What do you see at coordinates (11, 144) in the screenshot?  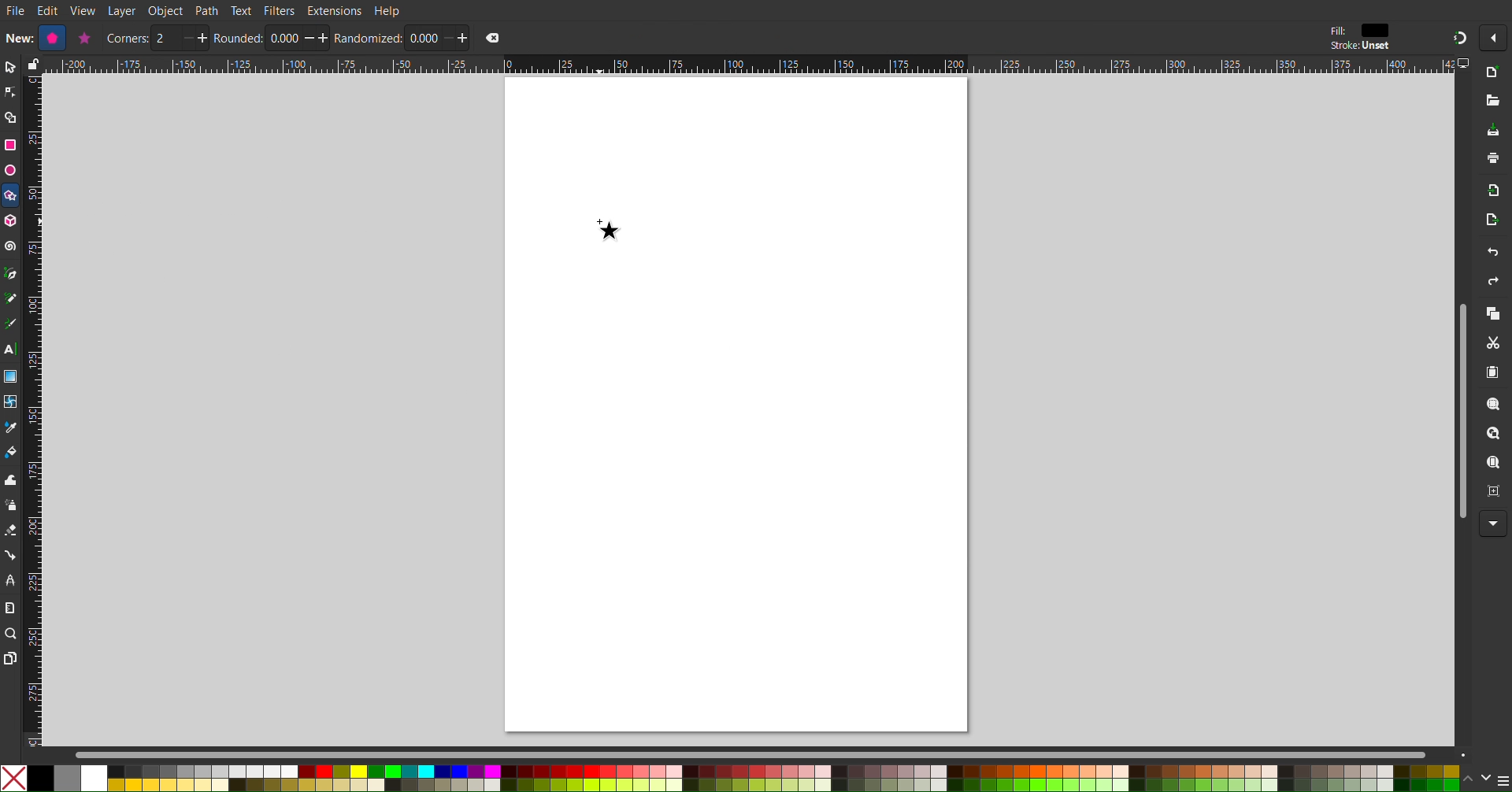 I see `Rectangle Tool` at bounding box center [11, 144].